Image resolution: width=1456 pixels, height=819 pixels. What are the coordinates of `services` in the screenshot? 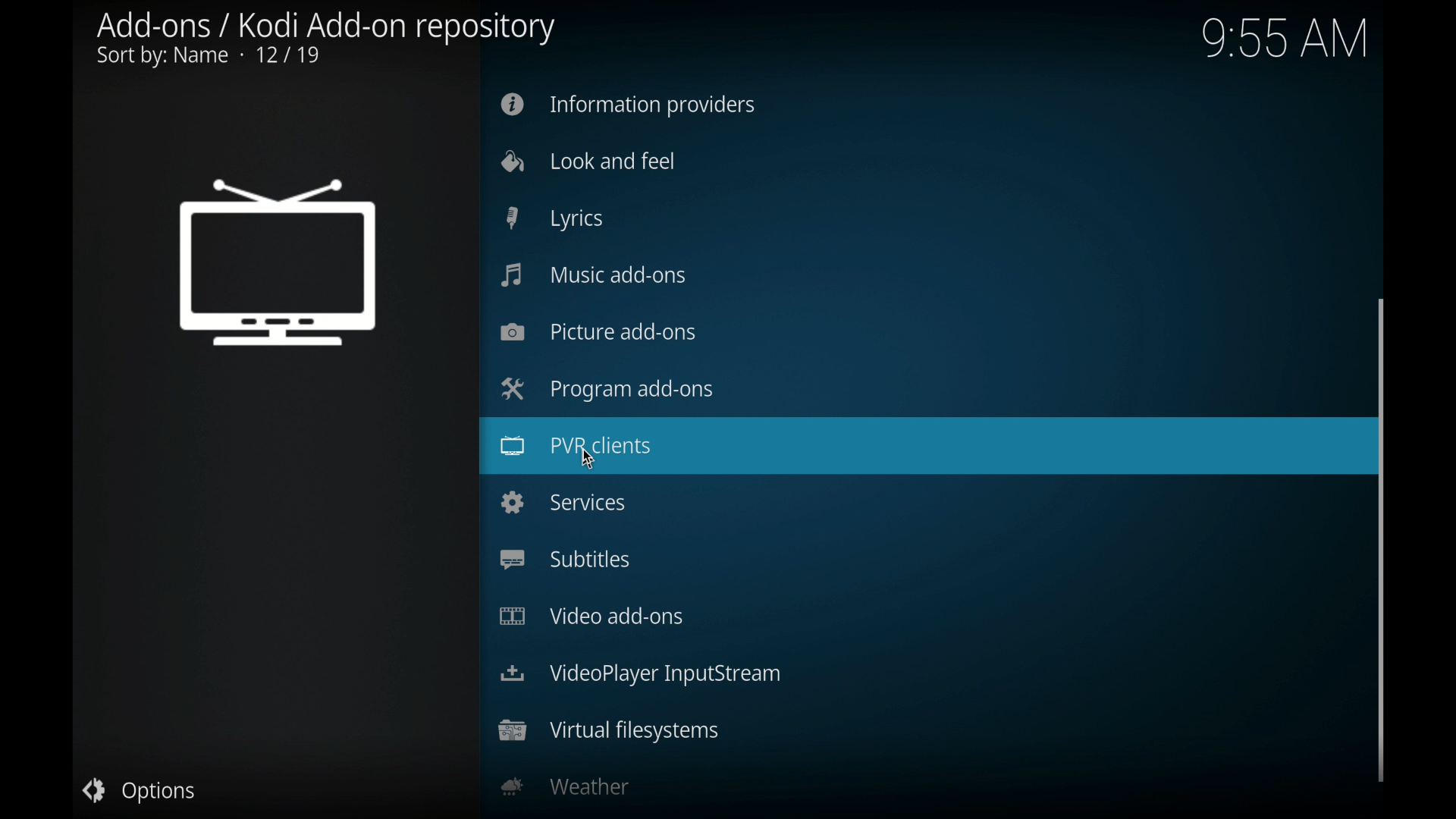 It's located at (563, 502).